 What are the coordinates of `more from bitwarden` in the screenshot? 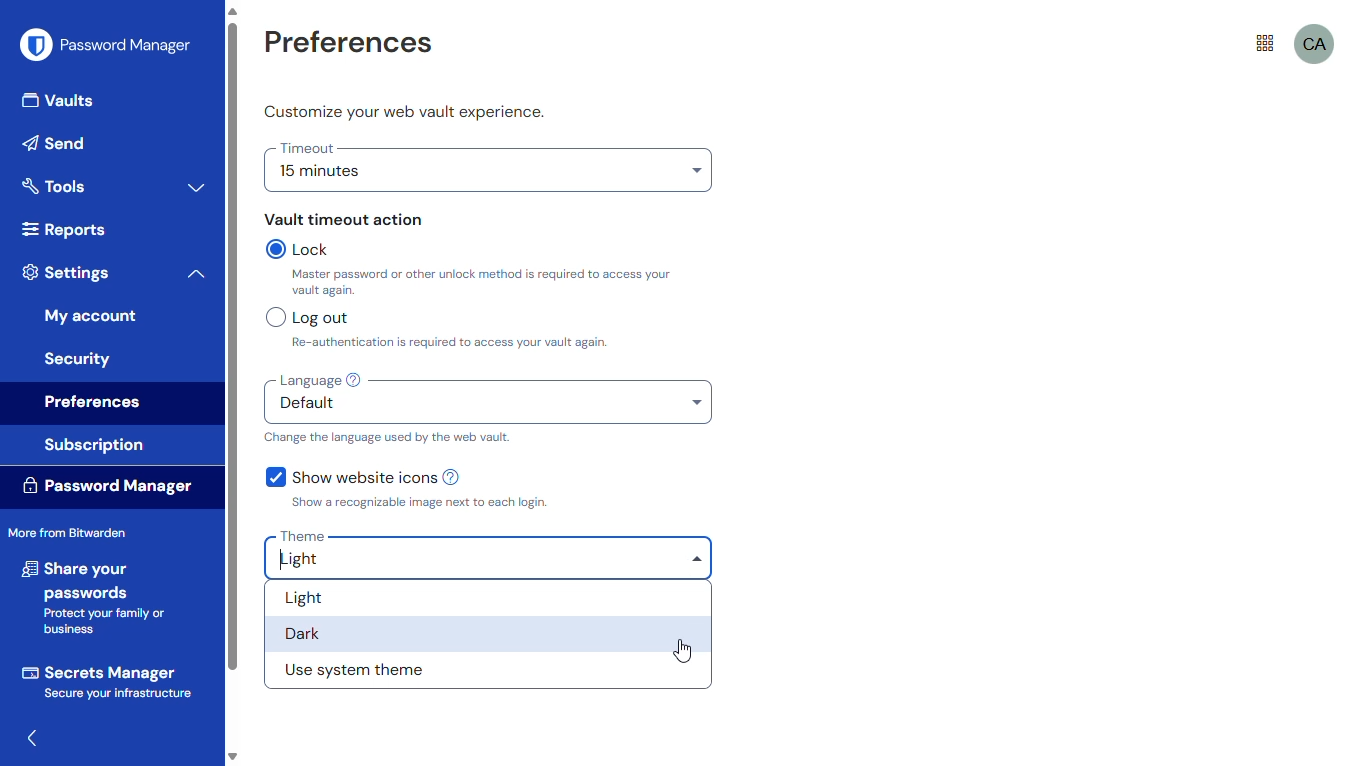 It's located at (1265, 44).